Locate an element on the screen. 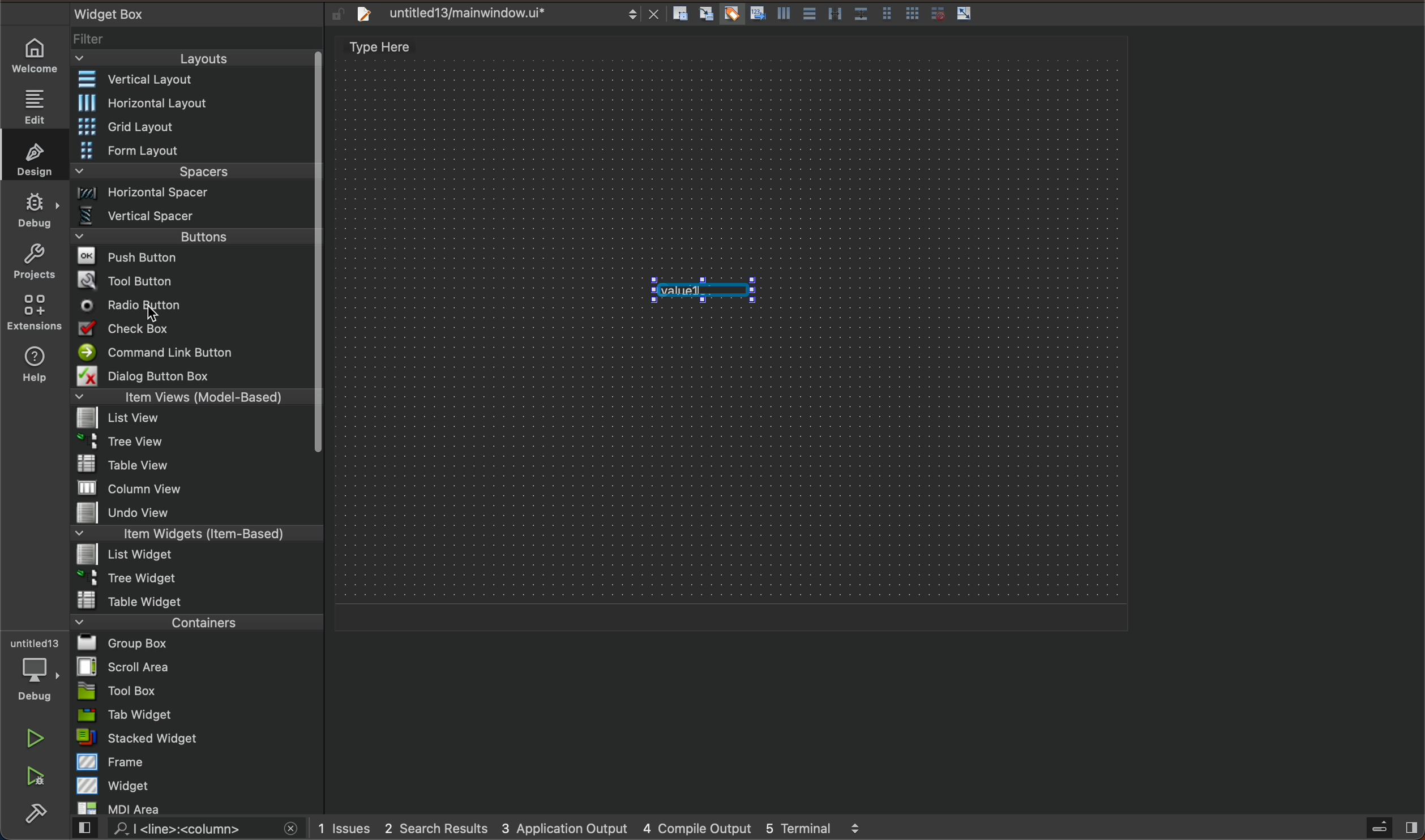 The height and width of the screenshot is (840, 1425).  is located at coordinates (195, 196).